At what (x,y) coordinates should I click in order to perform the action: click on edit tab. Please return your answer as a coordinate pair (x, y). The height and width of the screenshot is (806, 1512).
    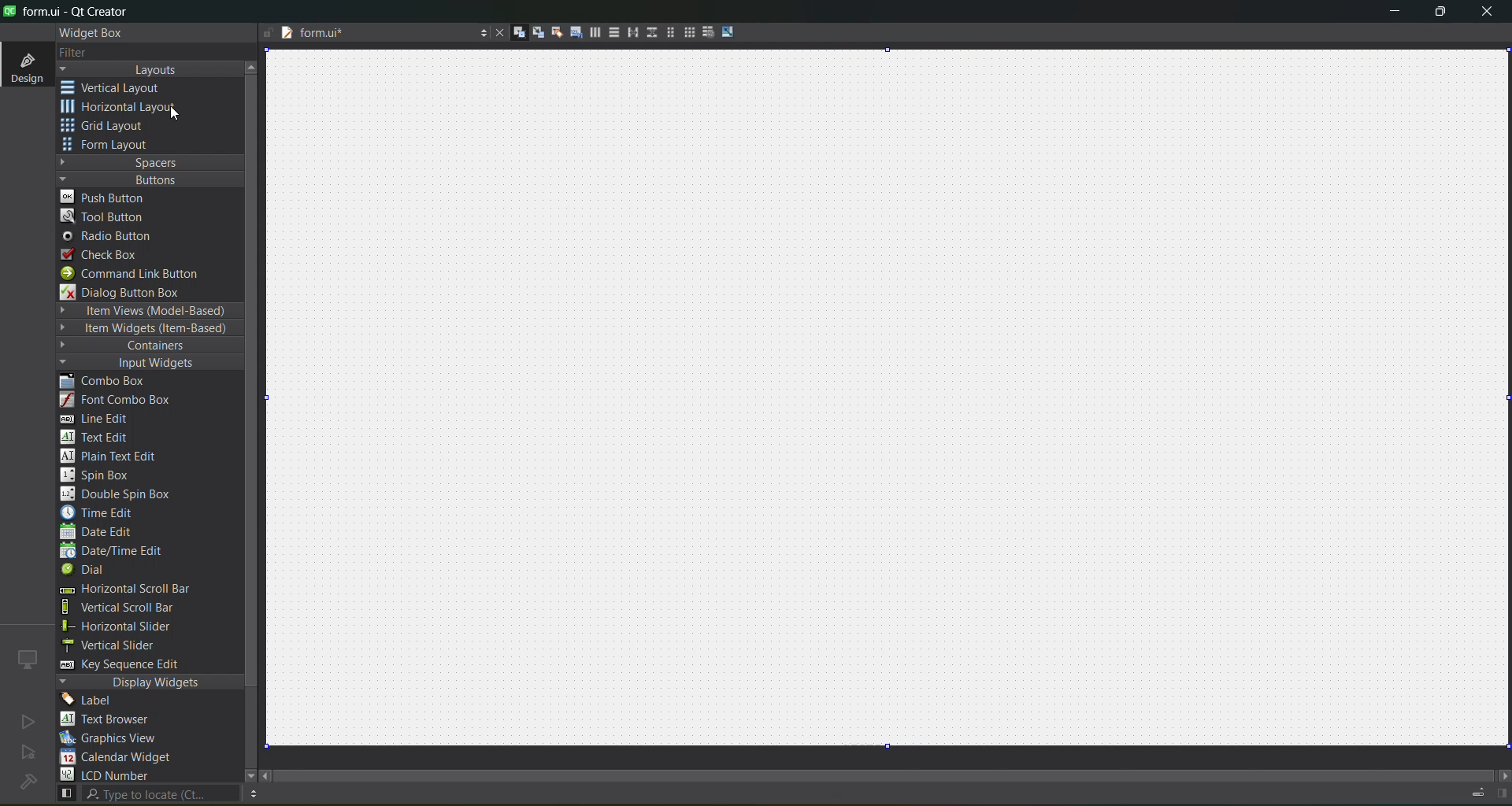
    Looking at the image, I should click on (570, 35).